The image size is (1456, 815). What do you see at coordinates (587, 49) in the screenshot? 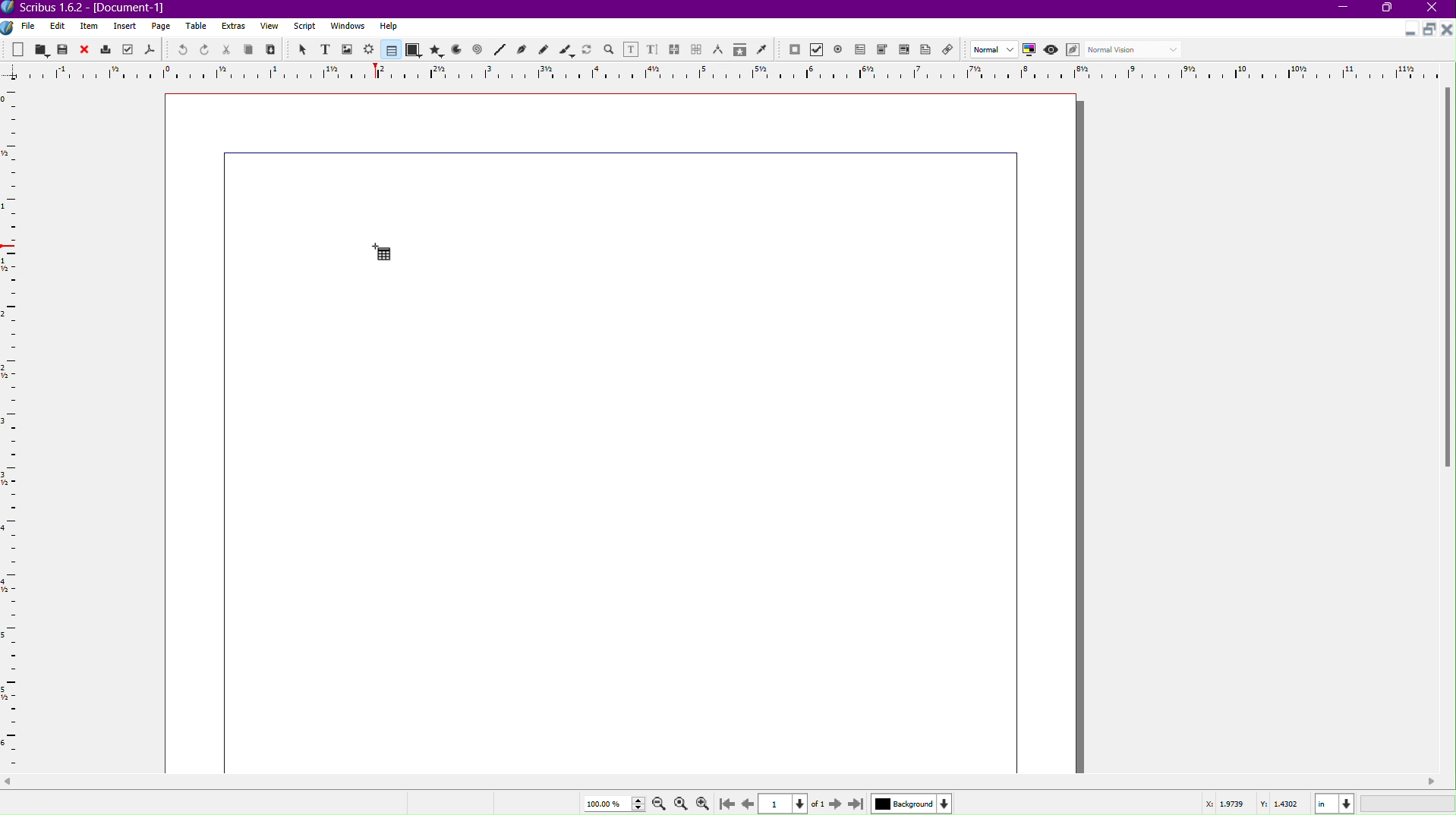
I see `Rotate Item` at bounding box center [587, 49].